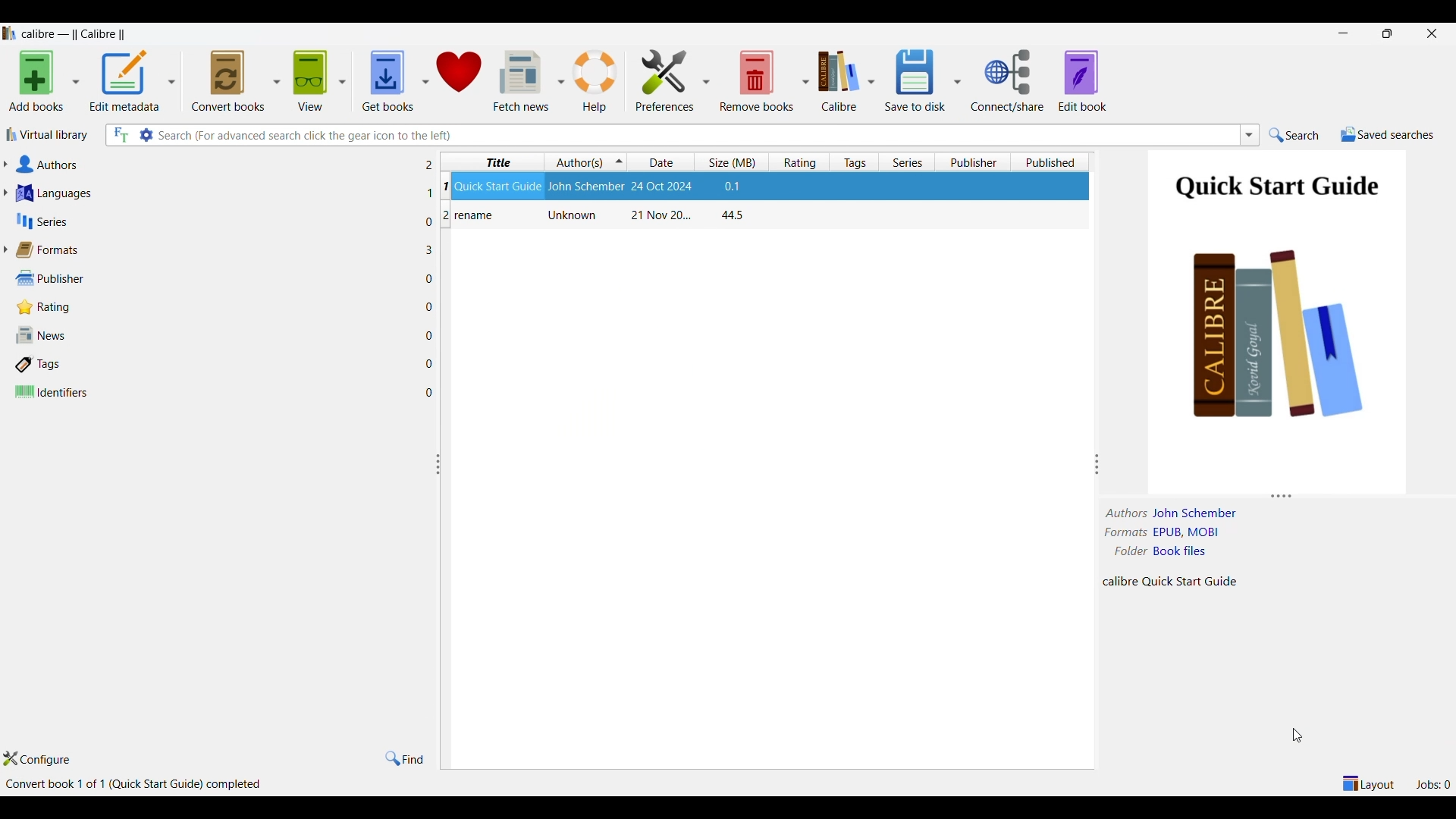 Image resolution: width=1456 pixels, height=819 pixels. Describe the element at coordinates (215, 278) in the screenshot. I see `Publisher` at that location.